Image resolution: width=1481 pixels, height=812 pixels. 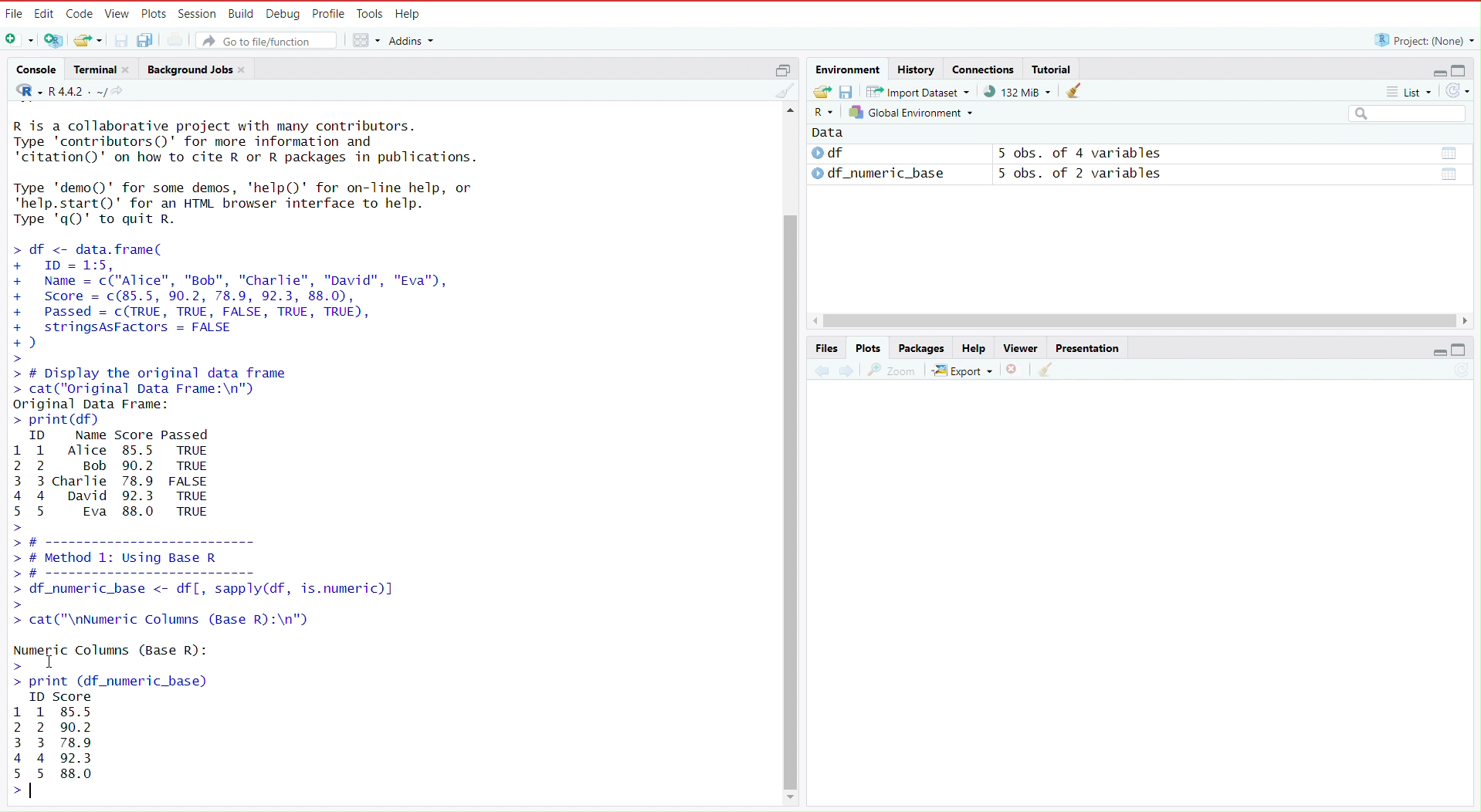 I want to click on Open an existing file, so click(x=90, y=40).